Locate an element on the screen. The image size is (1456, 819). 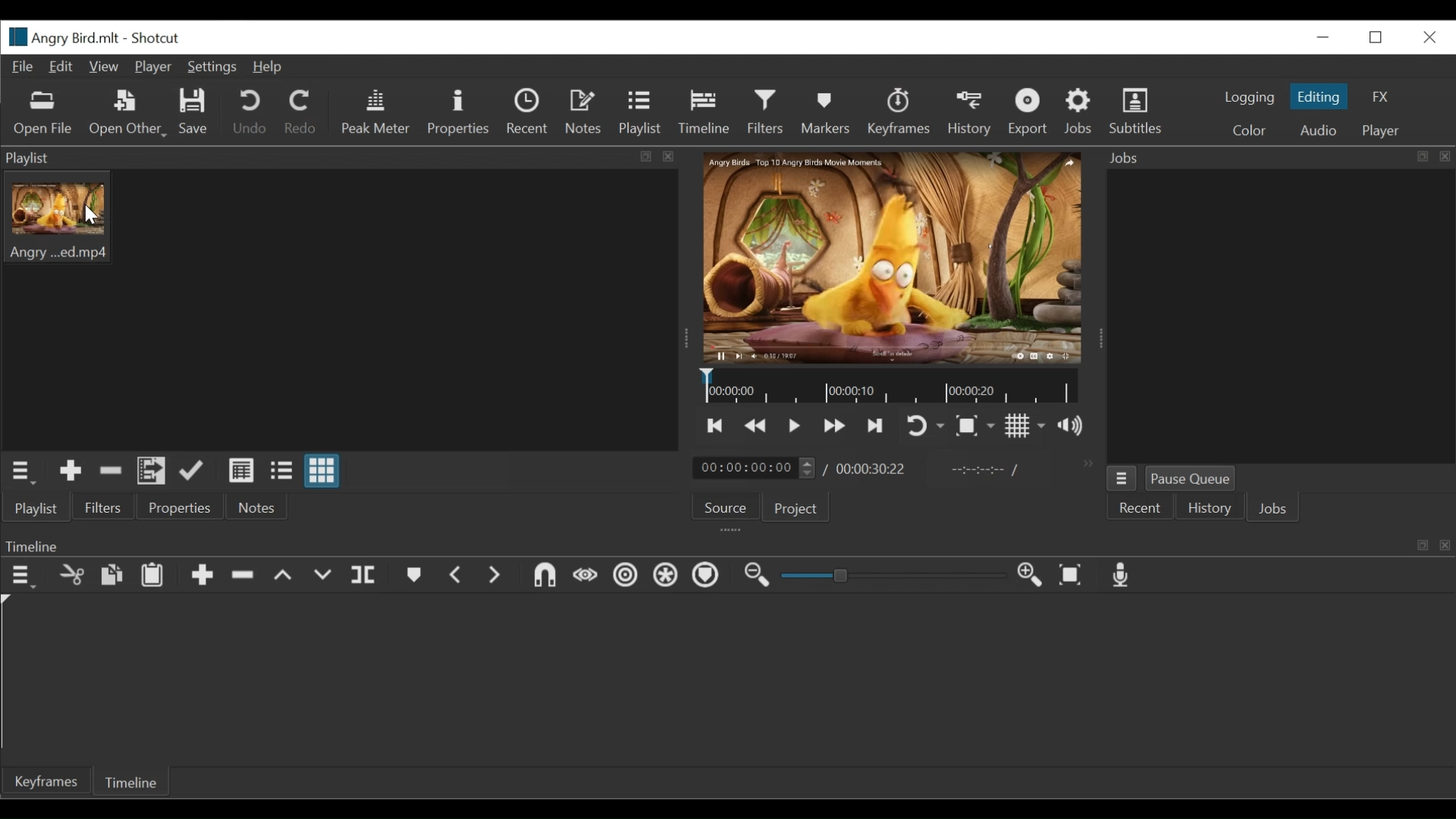
View as files is located at coordinates (281, 470).